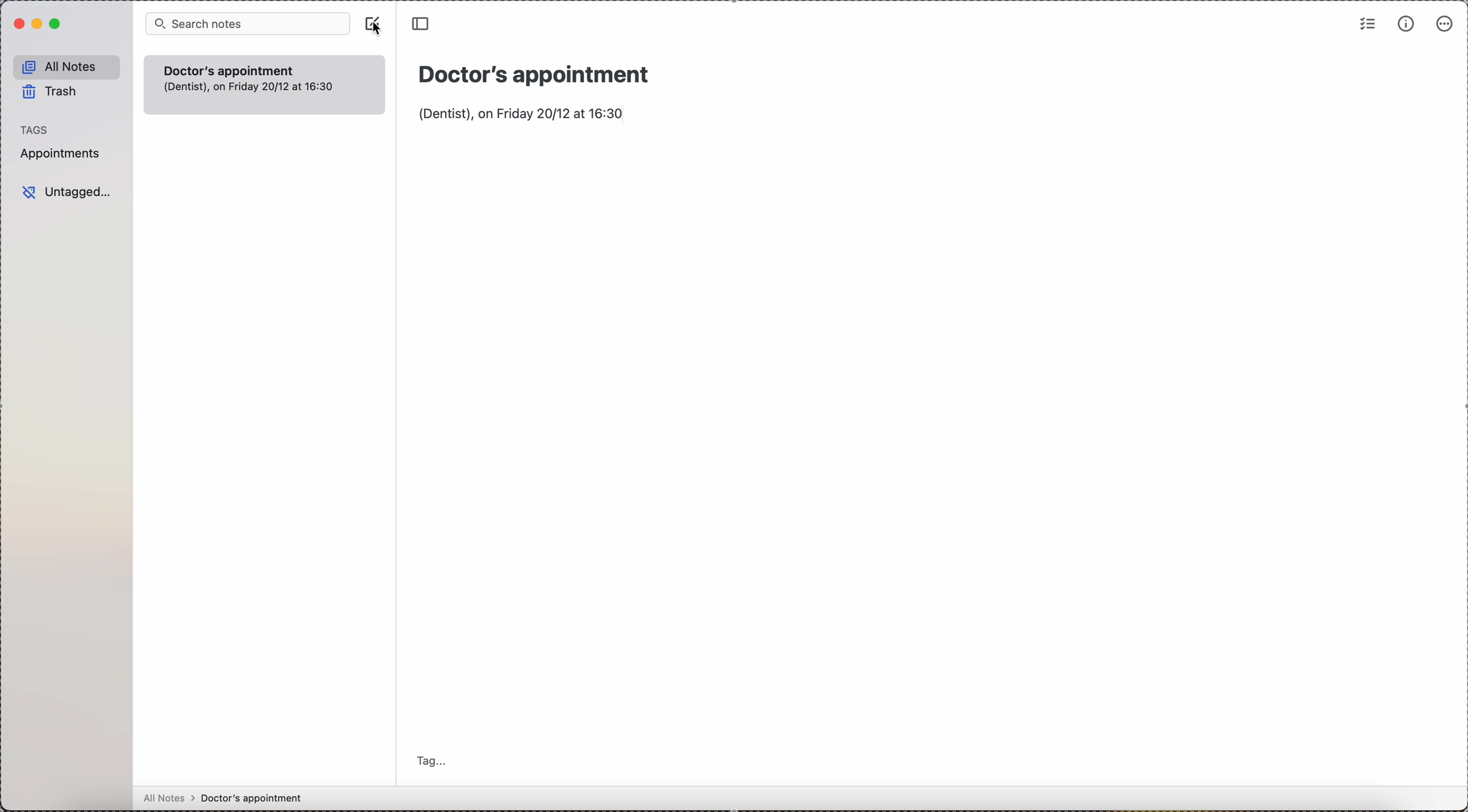  I want to click on maximize, so click(59, 25).